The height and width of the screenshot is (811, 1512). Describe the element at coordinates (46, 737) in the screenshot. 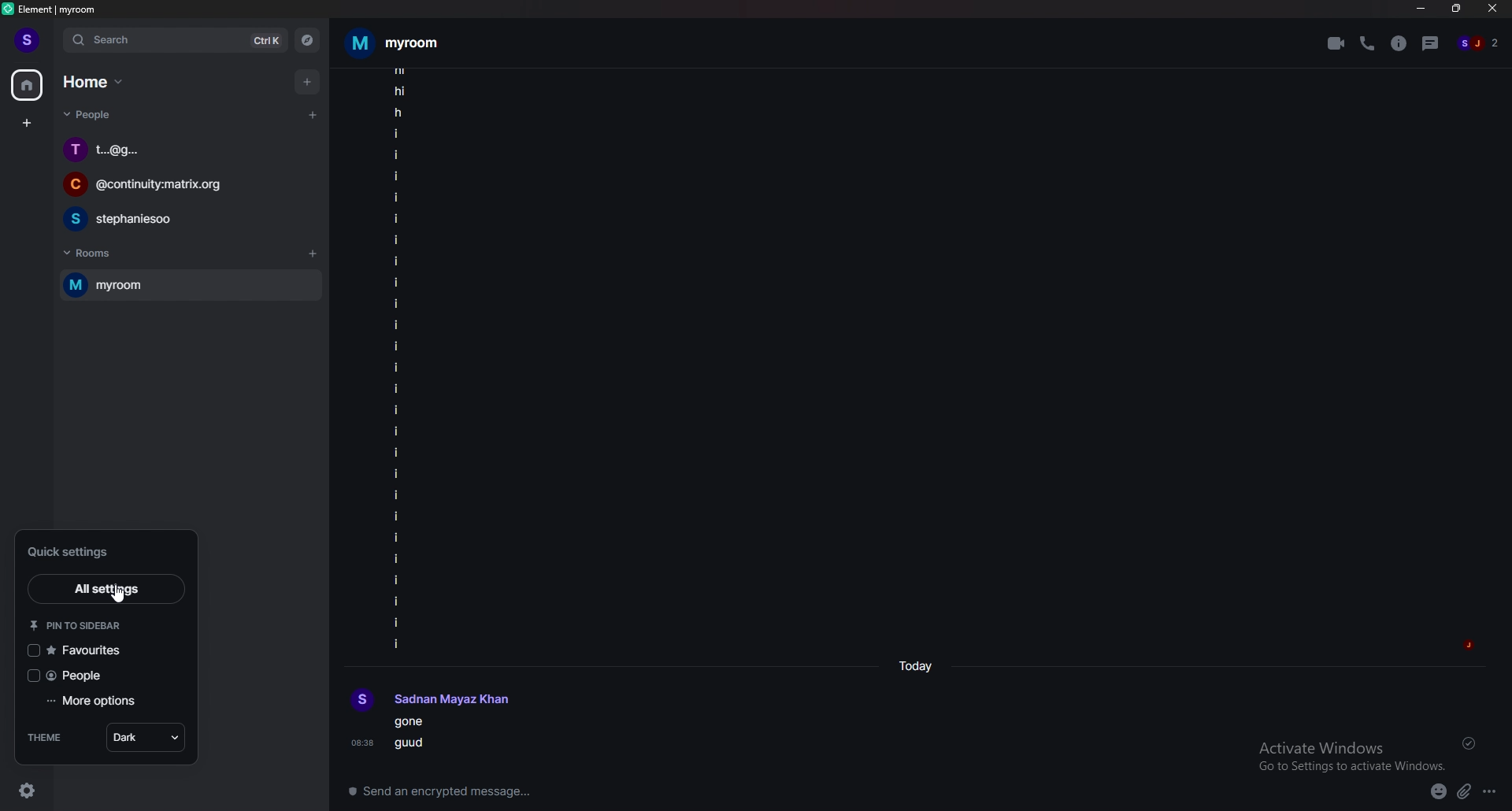

I see `theme` at that location.